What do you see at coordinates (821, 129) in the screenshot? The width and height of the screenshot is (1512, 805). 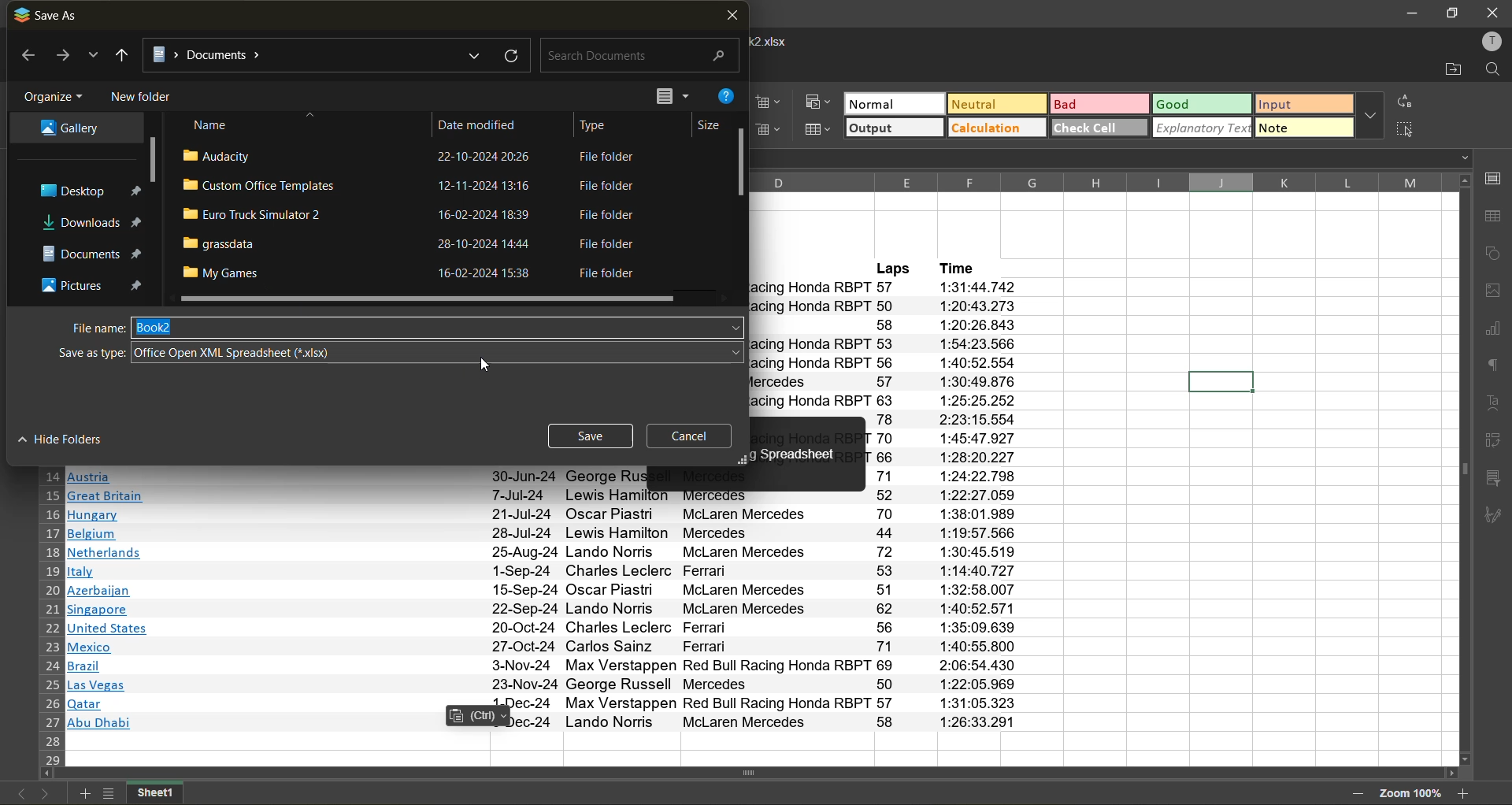 I see `format as table` at bounding box center [821, 129].